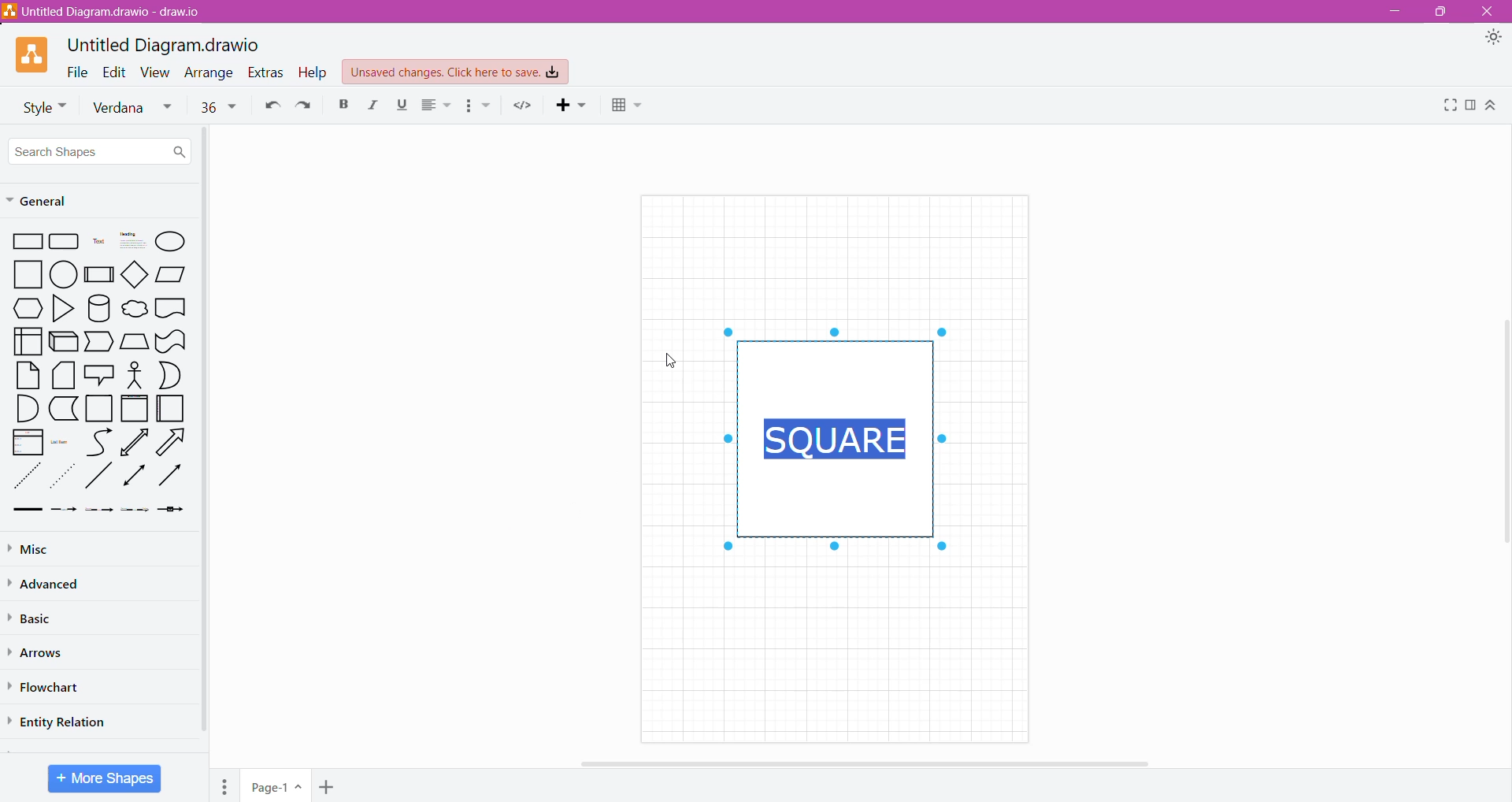 The width and height of the screenshot is (1512, 802). I want to click on diamond, so click(136, 275).